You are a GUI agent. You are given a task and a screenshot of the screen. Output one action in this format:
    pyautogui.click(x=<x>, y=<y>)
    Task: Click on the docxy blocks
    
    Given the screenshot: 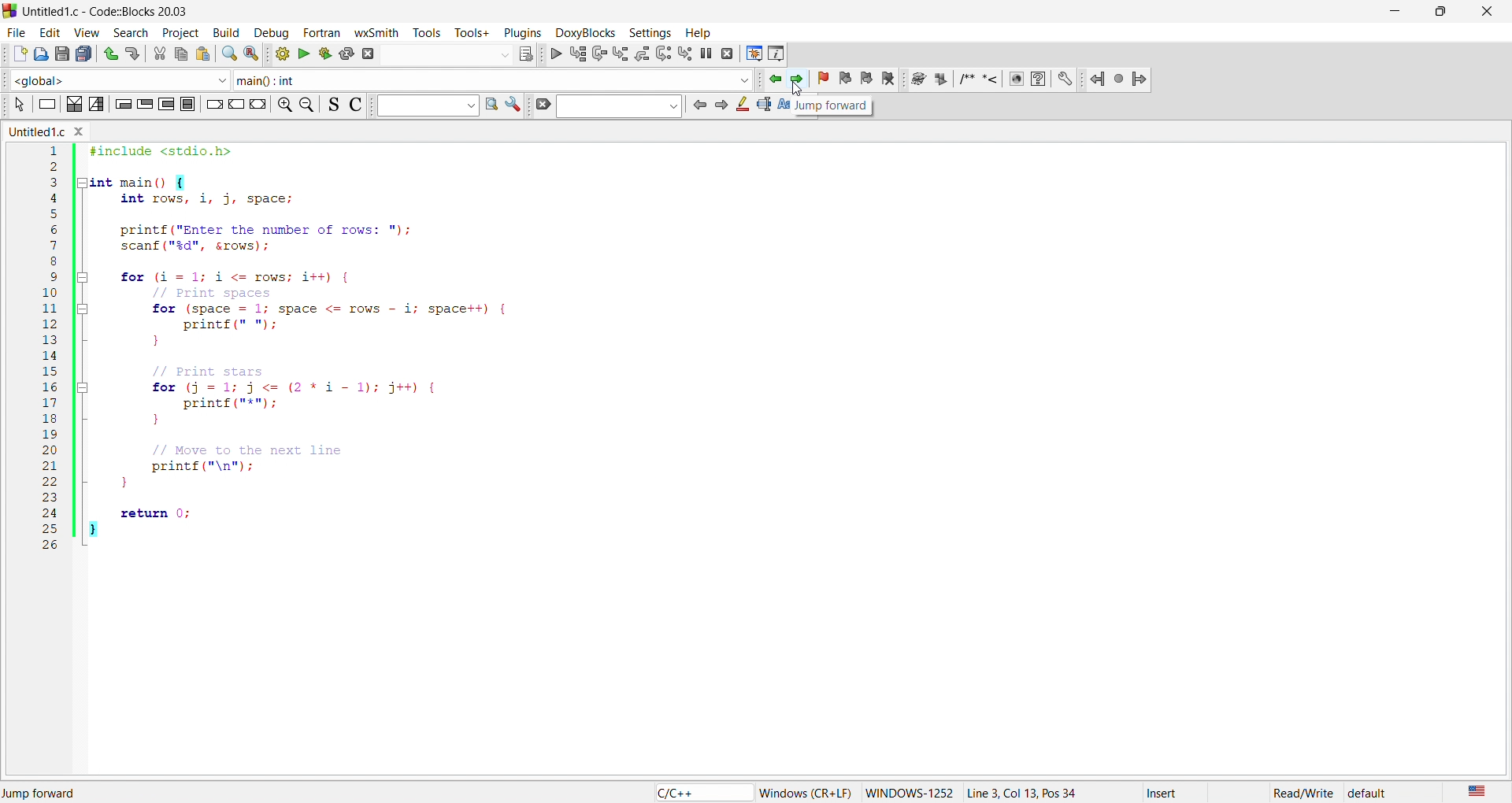 What is the action you would take?
    pyautogui.click(x=983, y=76)
    